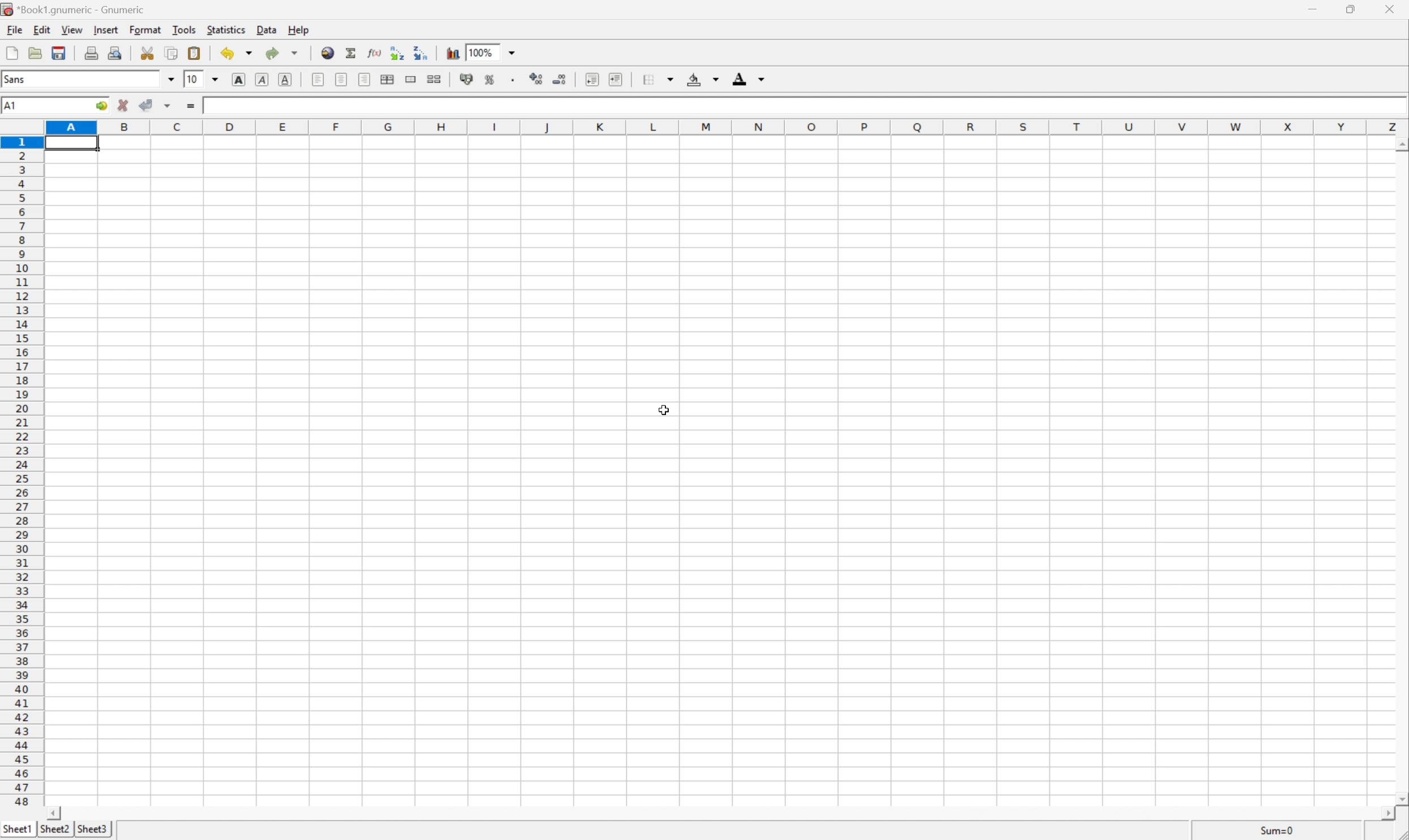 The width and height of the screenshot is (1409, 840). What do you see at coordinates (170, 78) in the screenshot?
I see `Drop Down` at bounding box center [170, 78].